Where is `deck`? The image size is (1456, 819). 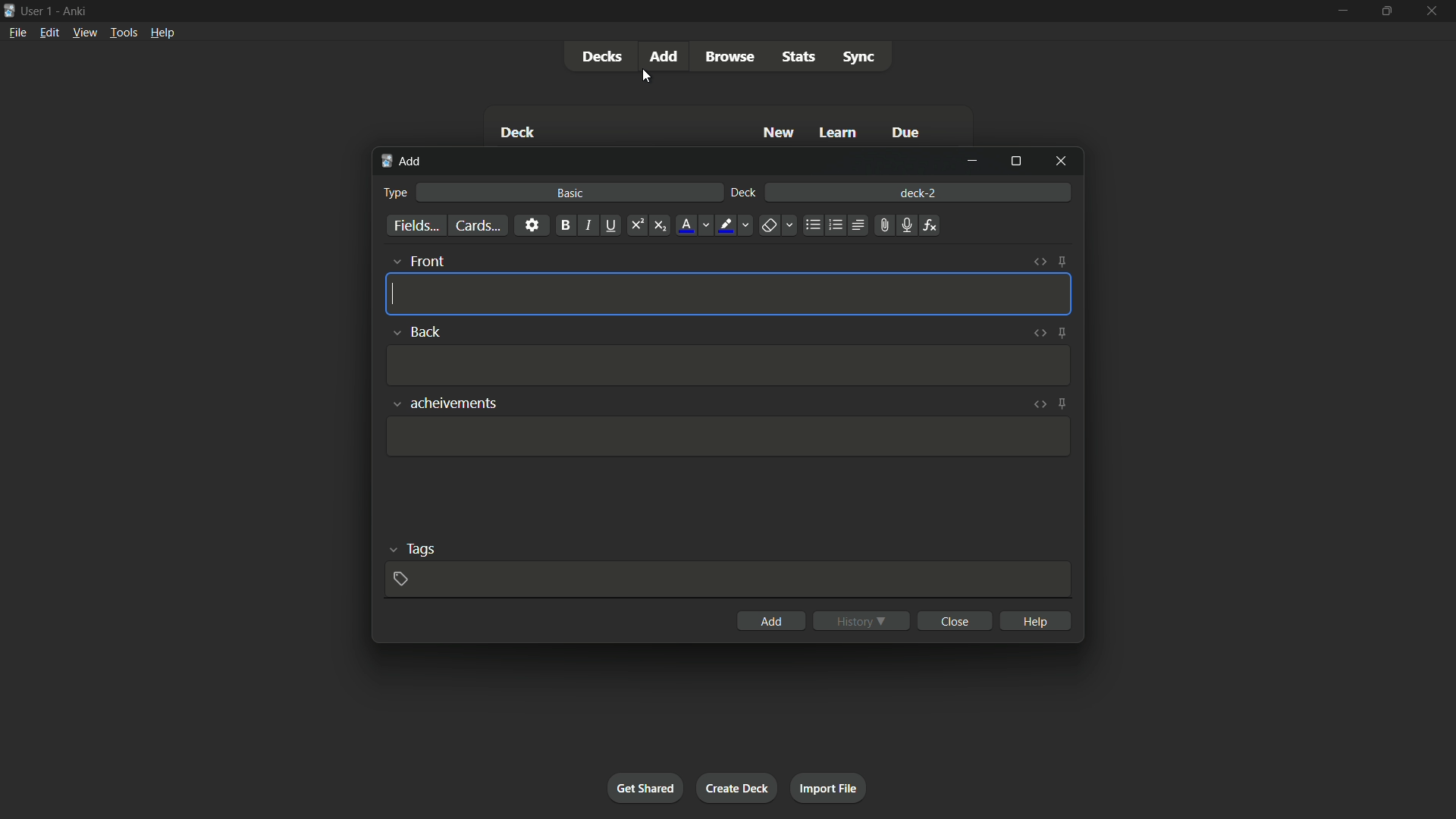
deck is located at coordinates (743, 193).